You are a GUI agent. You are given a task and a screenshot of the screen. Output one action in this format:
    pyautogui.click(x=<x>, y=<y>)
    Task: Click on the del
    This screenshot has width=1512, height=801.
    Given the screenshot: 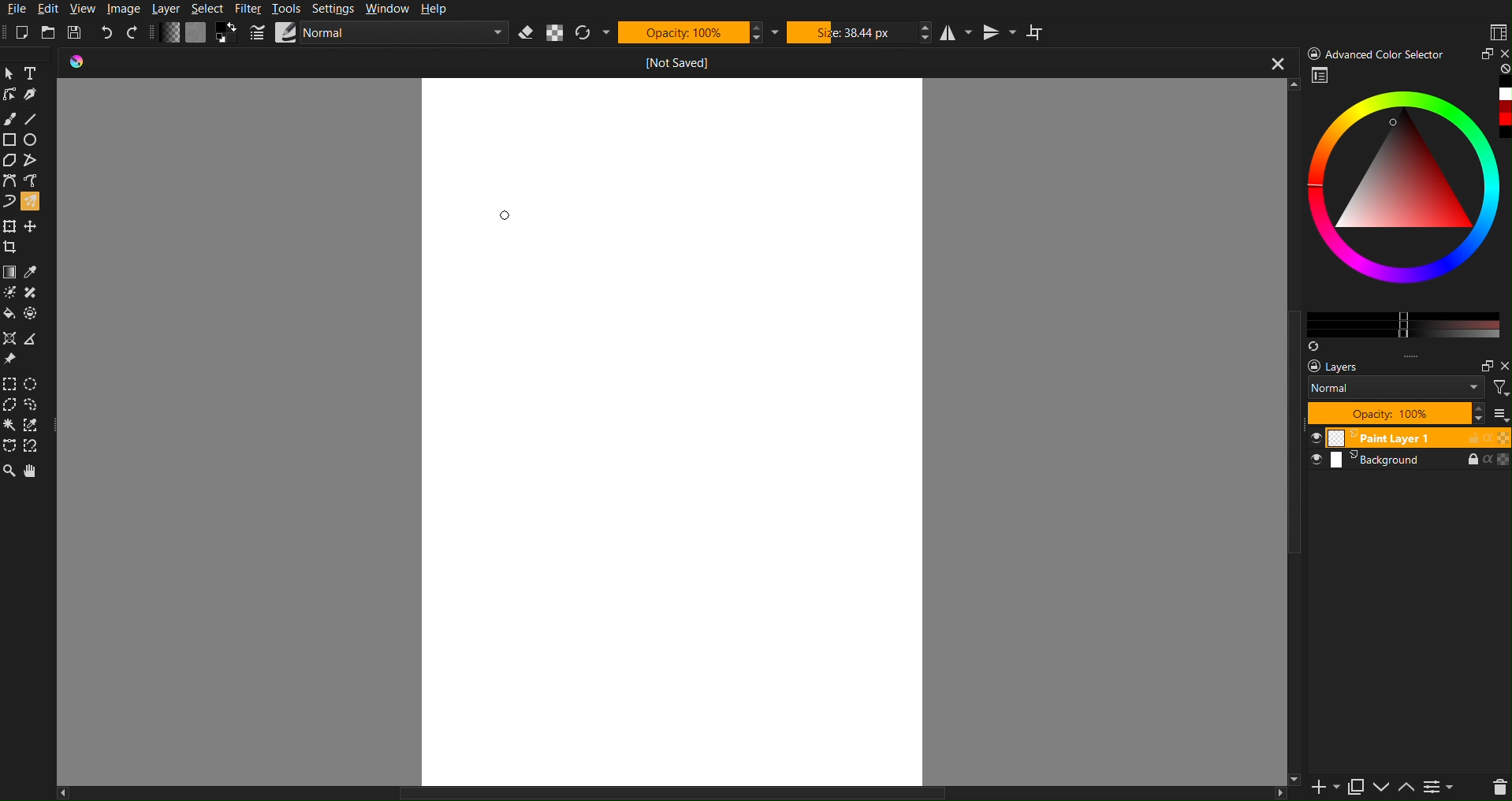 What is the action you would take?
    pyautogui.click(x=1493, y=788)
    